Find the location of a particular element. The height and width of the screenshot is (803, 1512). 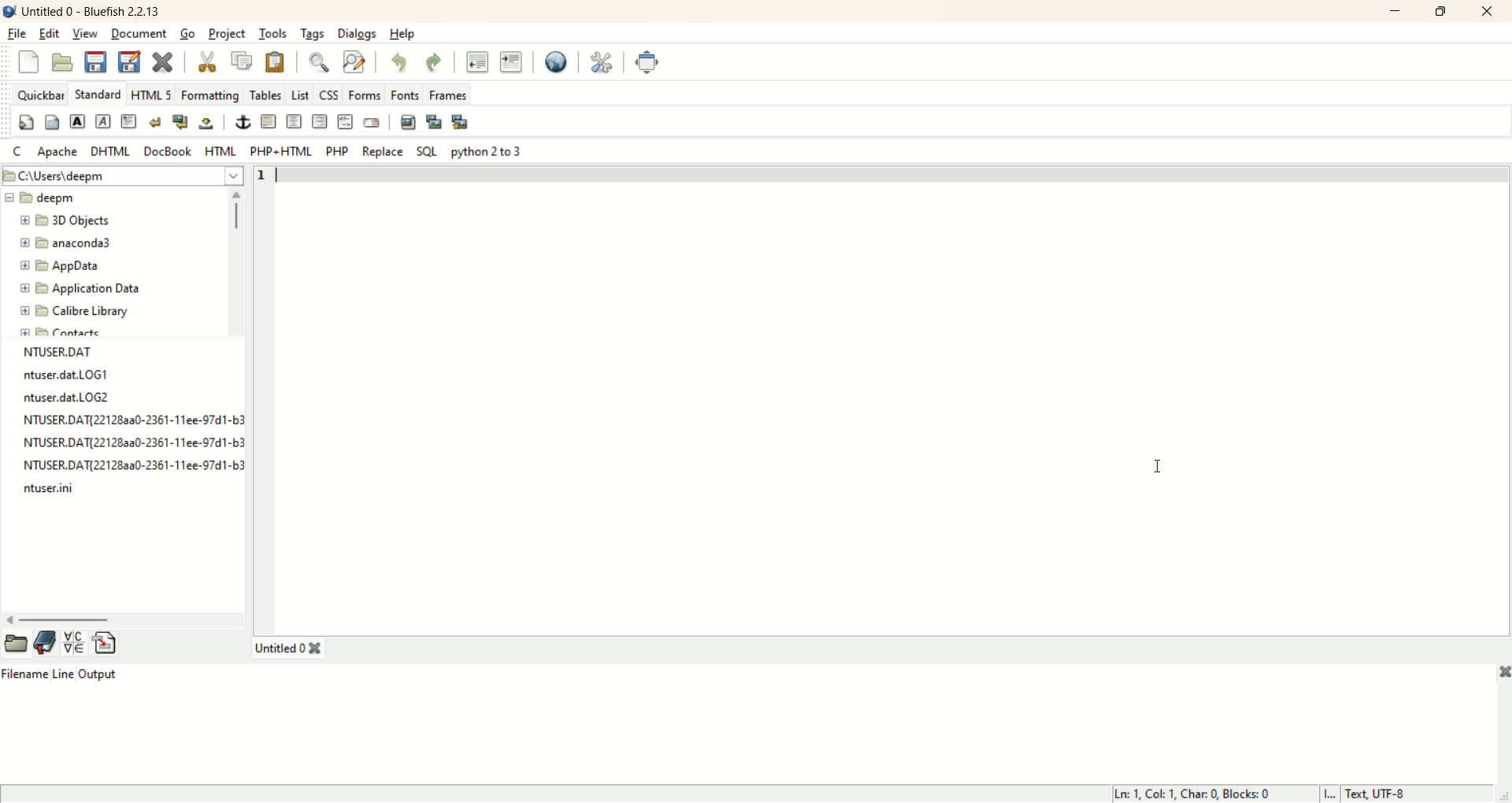

Standard is located at coordinates (99, 94).